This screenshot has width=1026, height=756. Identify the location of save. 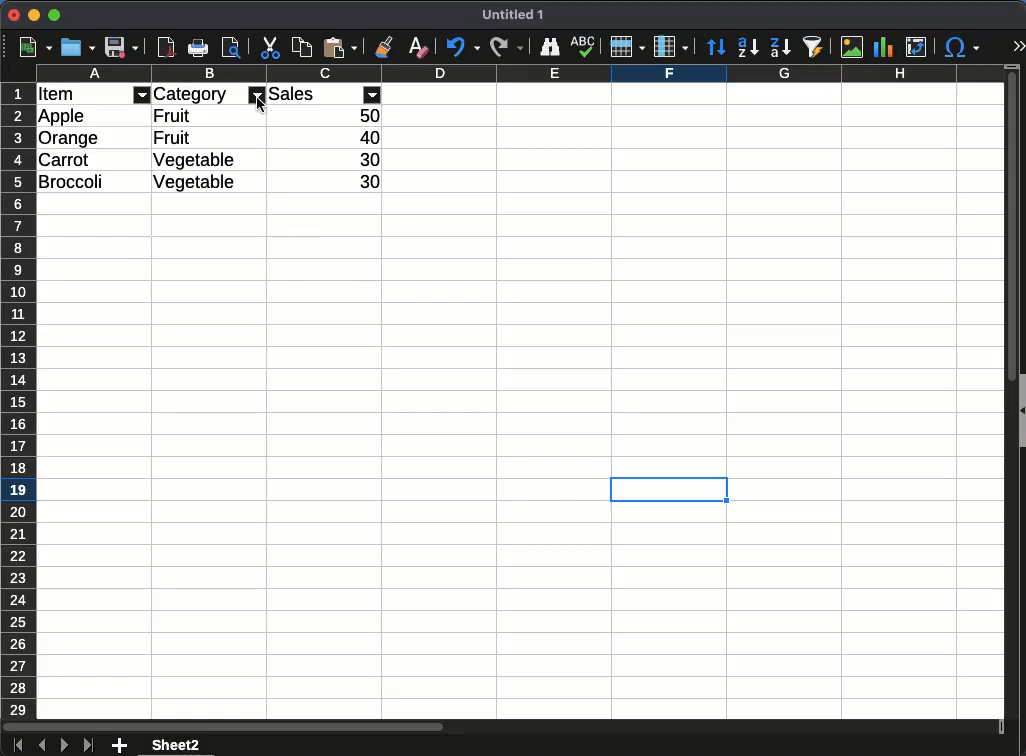
(123, 47).